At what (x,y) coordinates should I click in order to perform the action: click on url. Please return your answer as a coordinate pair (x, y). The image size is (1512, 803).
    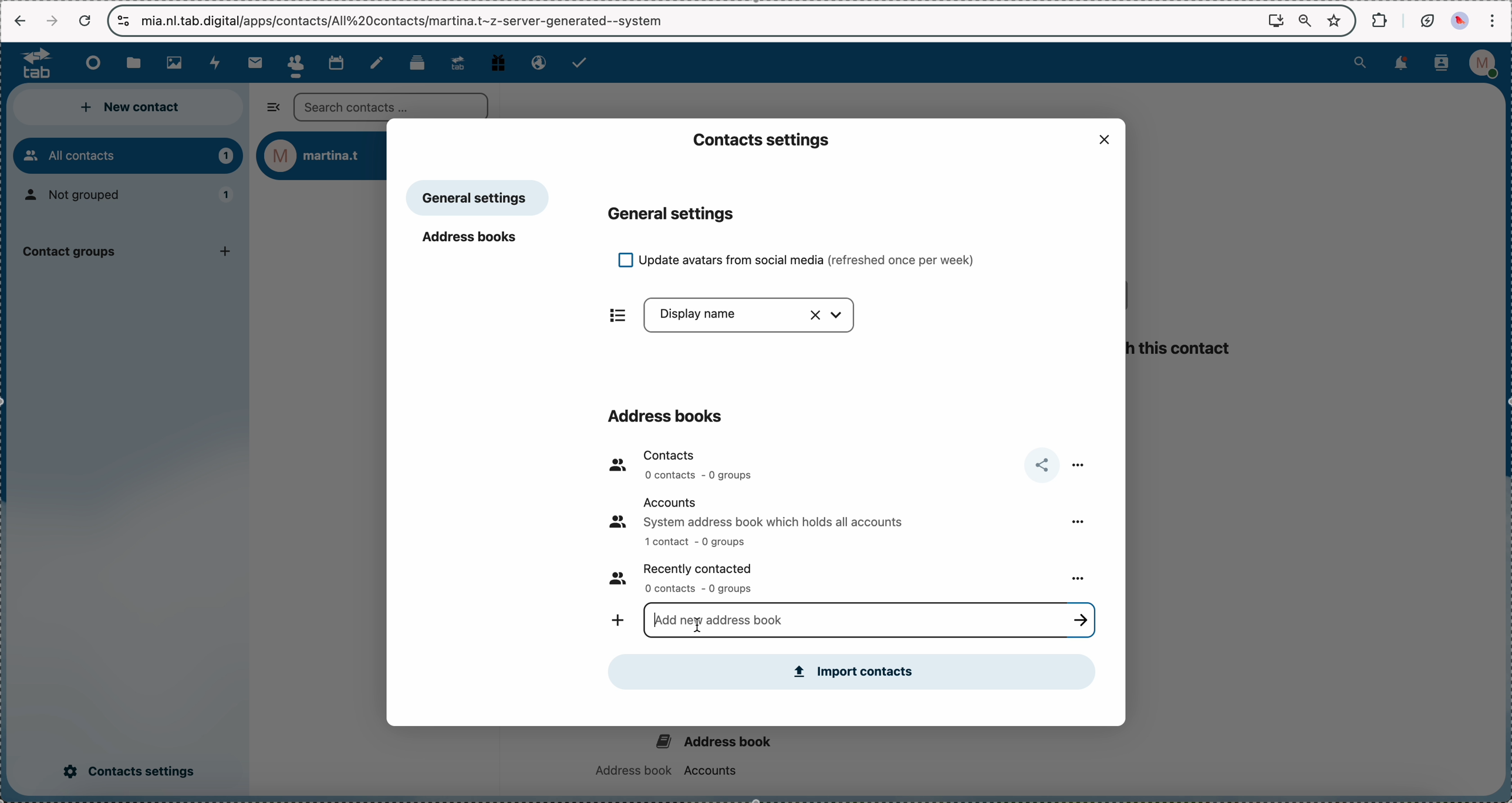
    Looking at the image, I should click on (247, 22).